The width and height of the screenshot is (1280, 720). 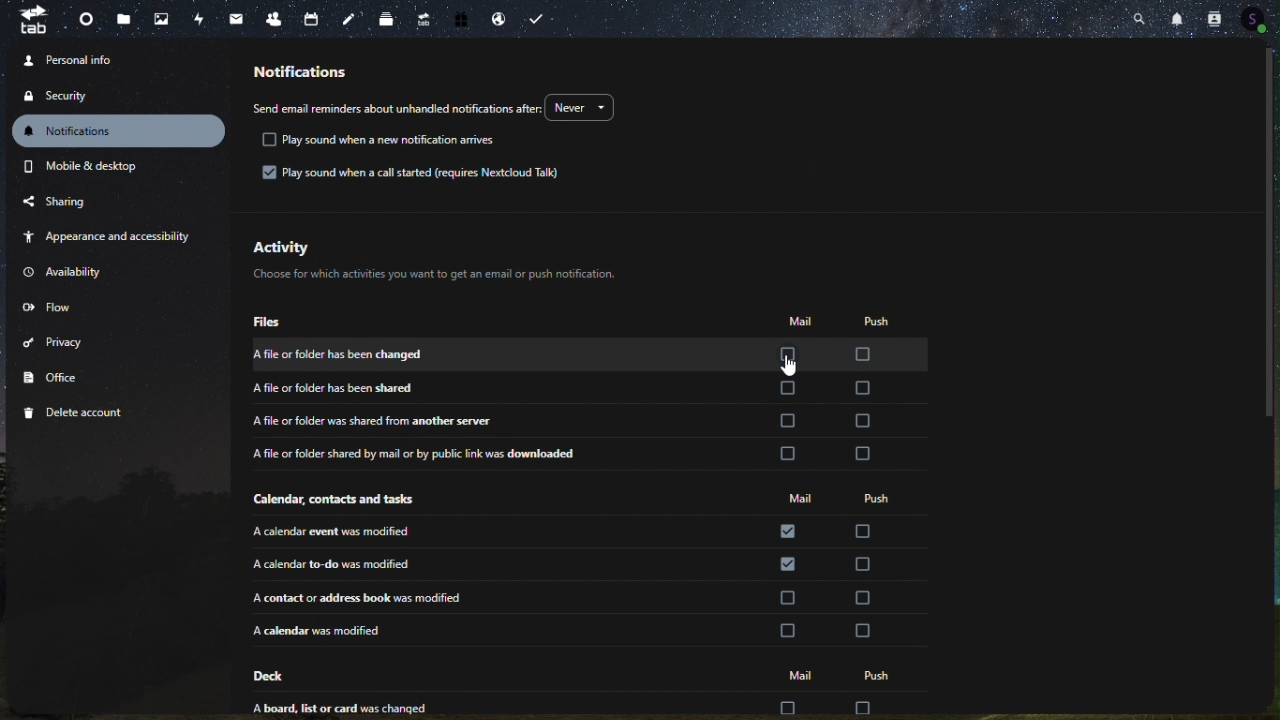 I want to click on calendar, contact and other, so click(x=342, y=497).